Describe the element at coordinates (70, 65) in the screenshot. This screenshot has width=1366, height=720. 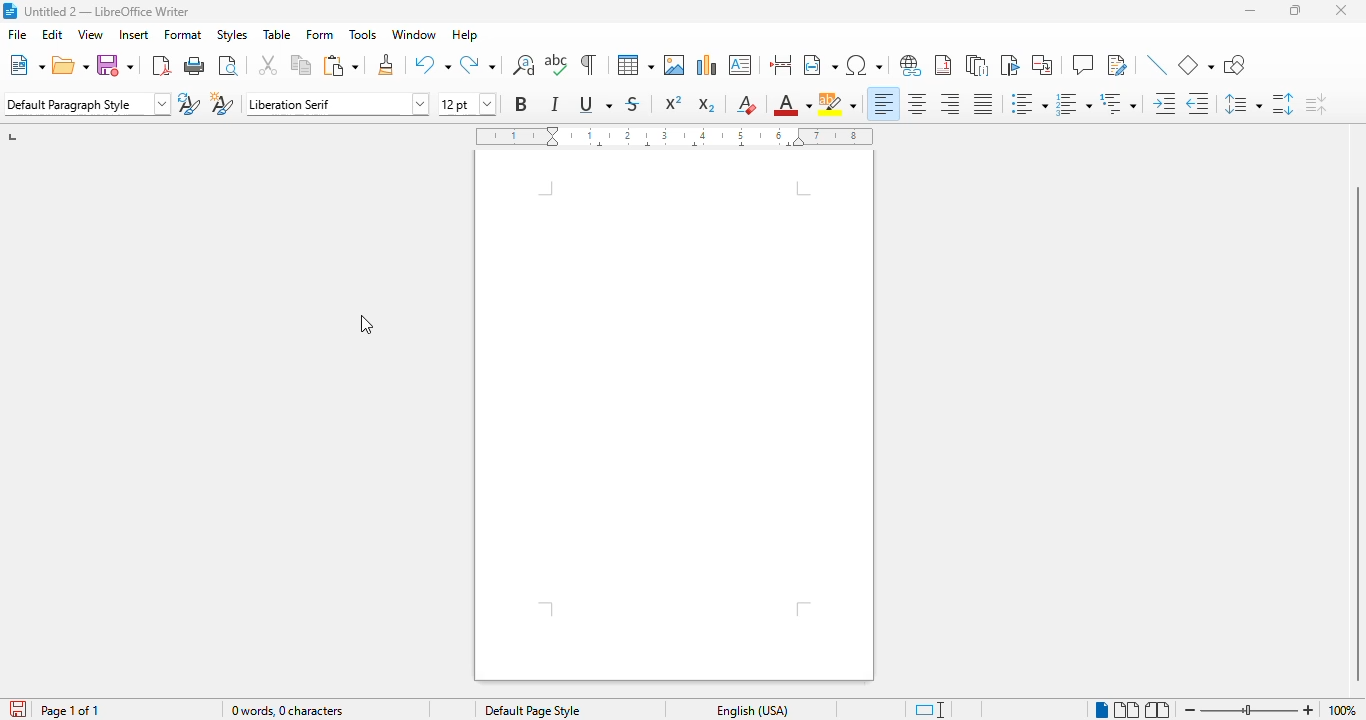
I see `open` at that location.